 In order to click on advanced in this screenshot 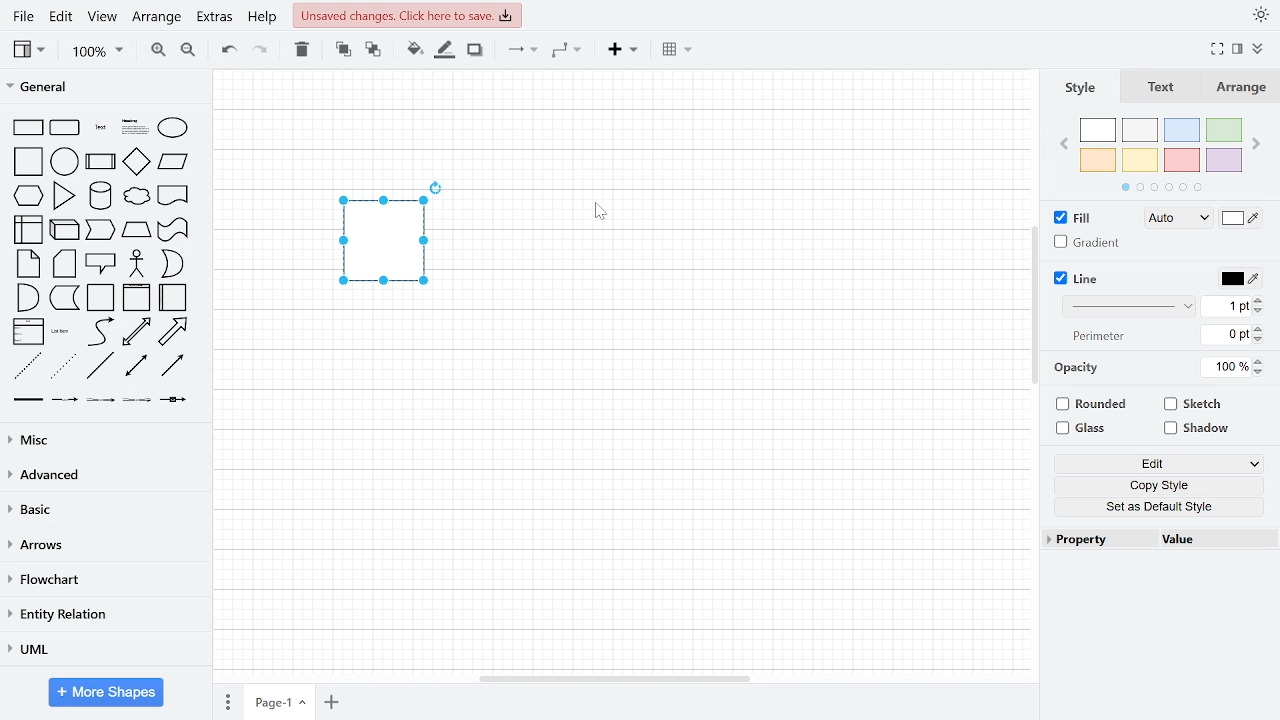, I will do `click(103, 475)`.